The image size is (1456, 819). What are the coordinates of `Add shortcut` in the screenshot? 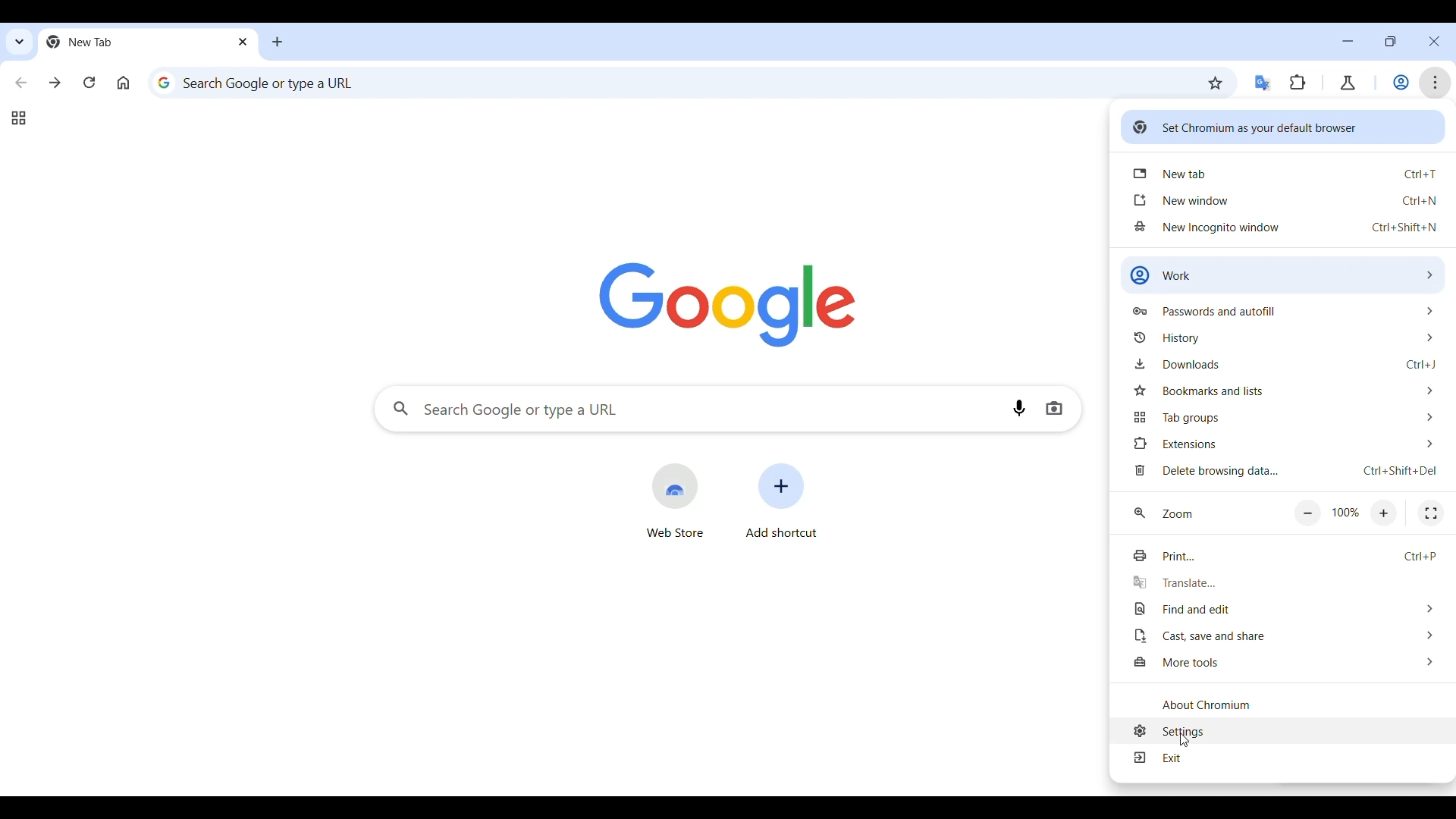 It's located at (782, 500).